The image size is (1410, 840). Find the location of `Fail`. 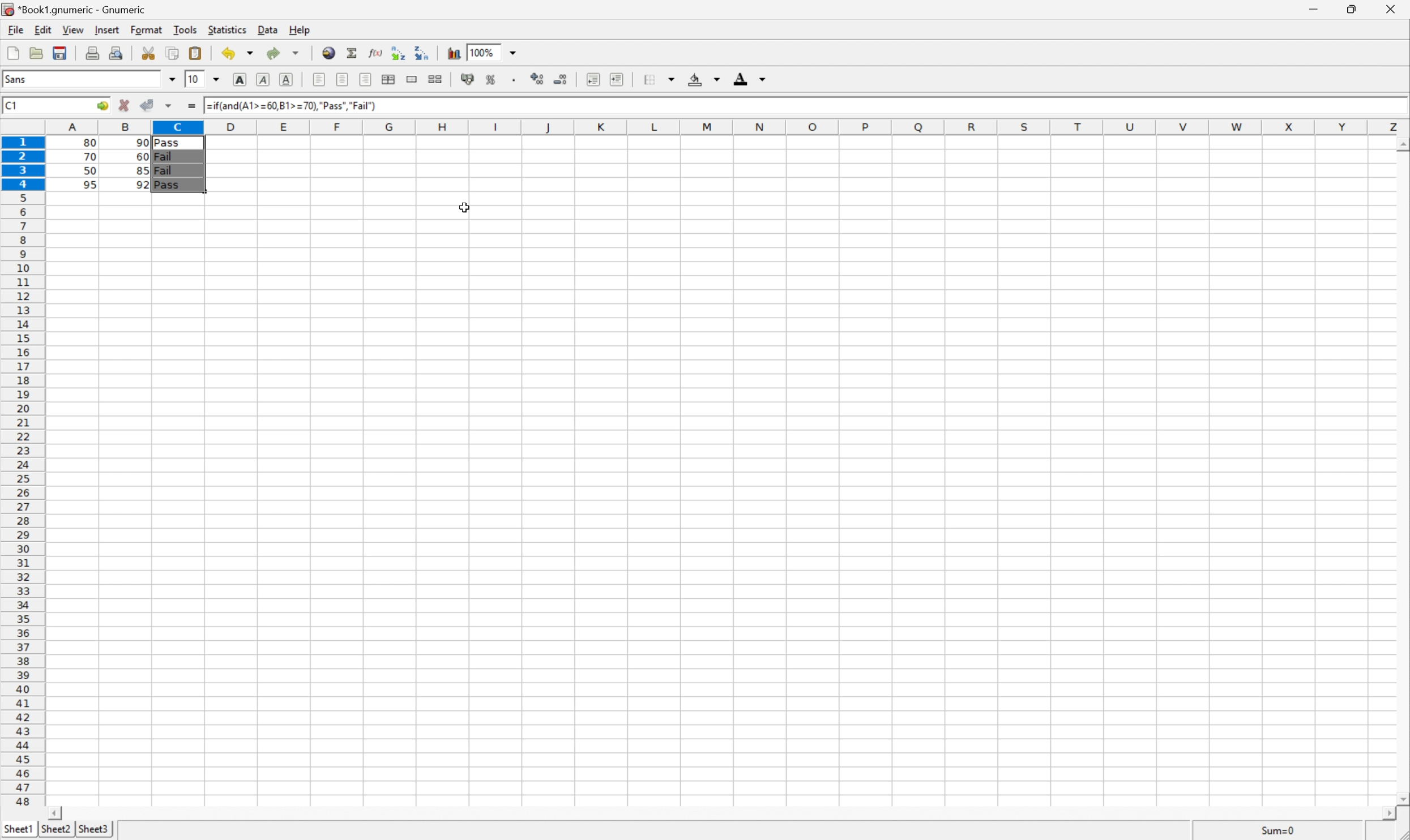

Fail is located at coordinates (169, 156).